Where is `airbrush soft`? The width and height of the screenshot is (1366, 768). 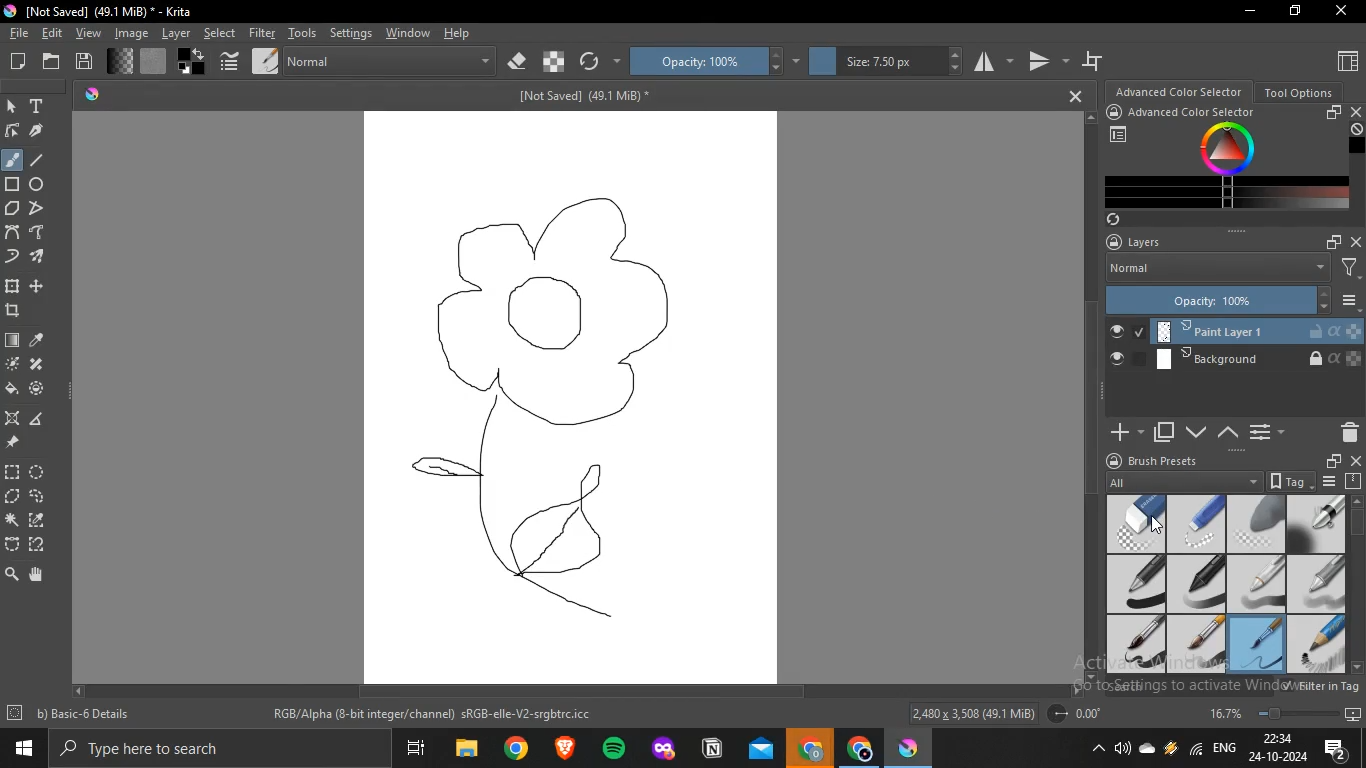
airbrush soft is located at coordinates (1317, 524).